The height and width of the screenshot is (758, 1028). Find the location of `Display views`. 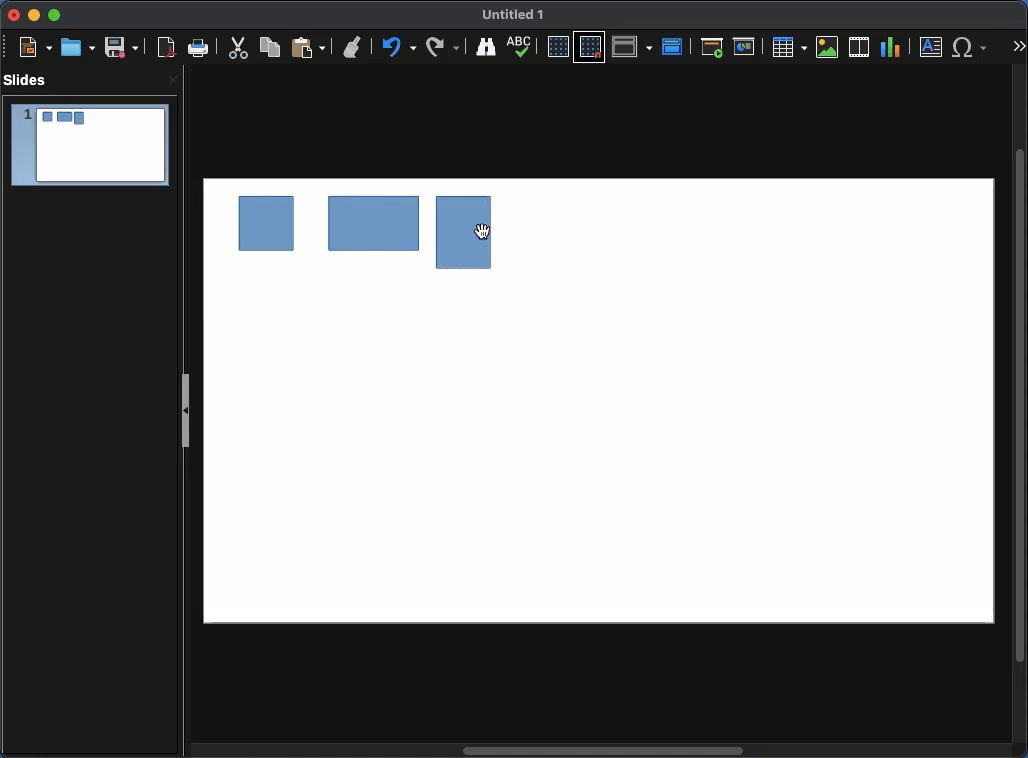

Display views is located at coordinates (632, 46).